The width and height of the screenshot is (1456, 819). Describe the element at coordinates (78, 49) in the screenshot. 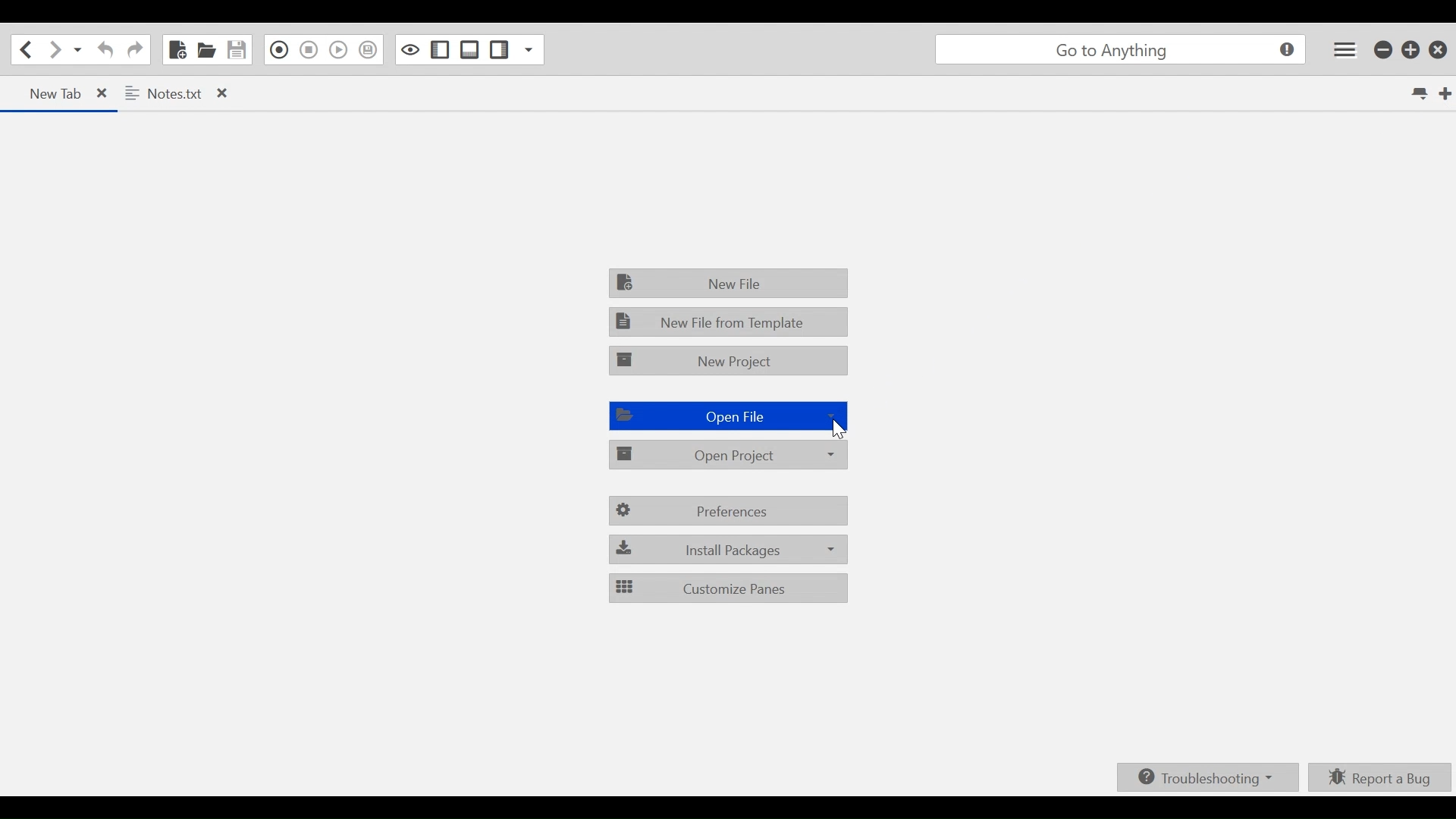

I see `Recent LOcations` at that location.